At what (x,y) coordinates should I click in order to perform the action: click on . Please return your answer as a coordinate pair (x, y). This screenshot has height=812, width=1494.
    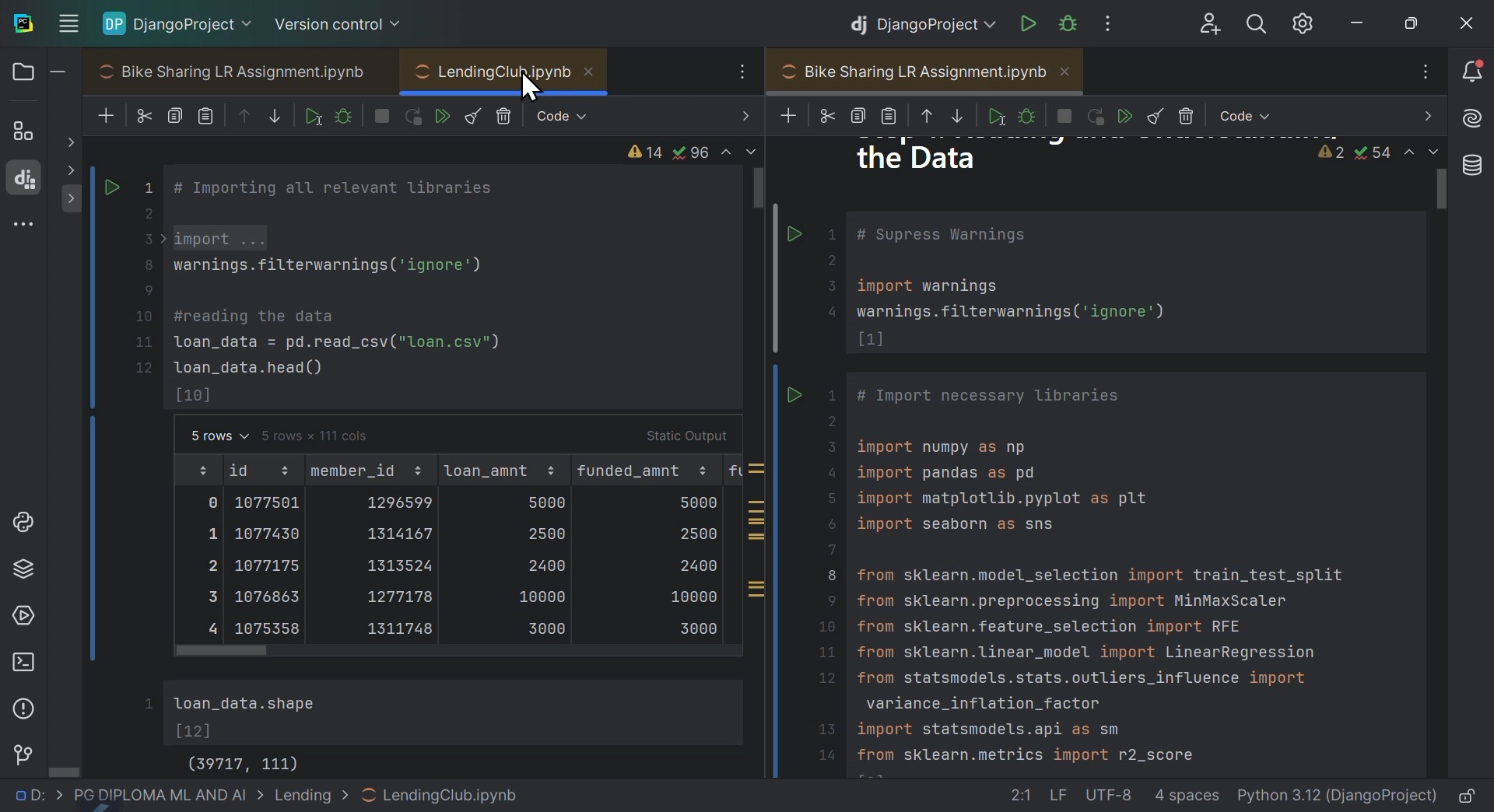
    Looking at the image, I should click on (828, 115).